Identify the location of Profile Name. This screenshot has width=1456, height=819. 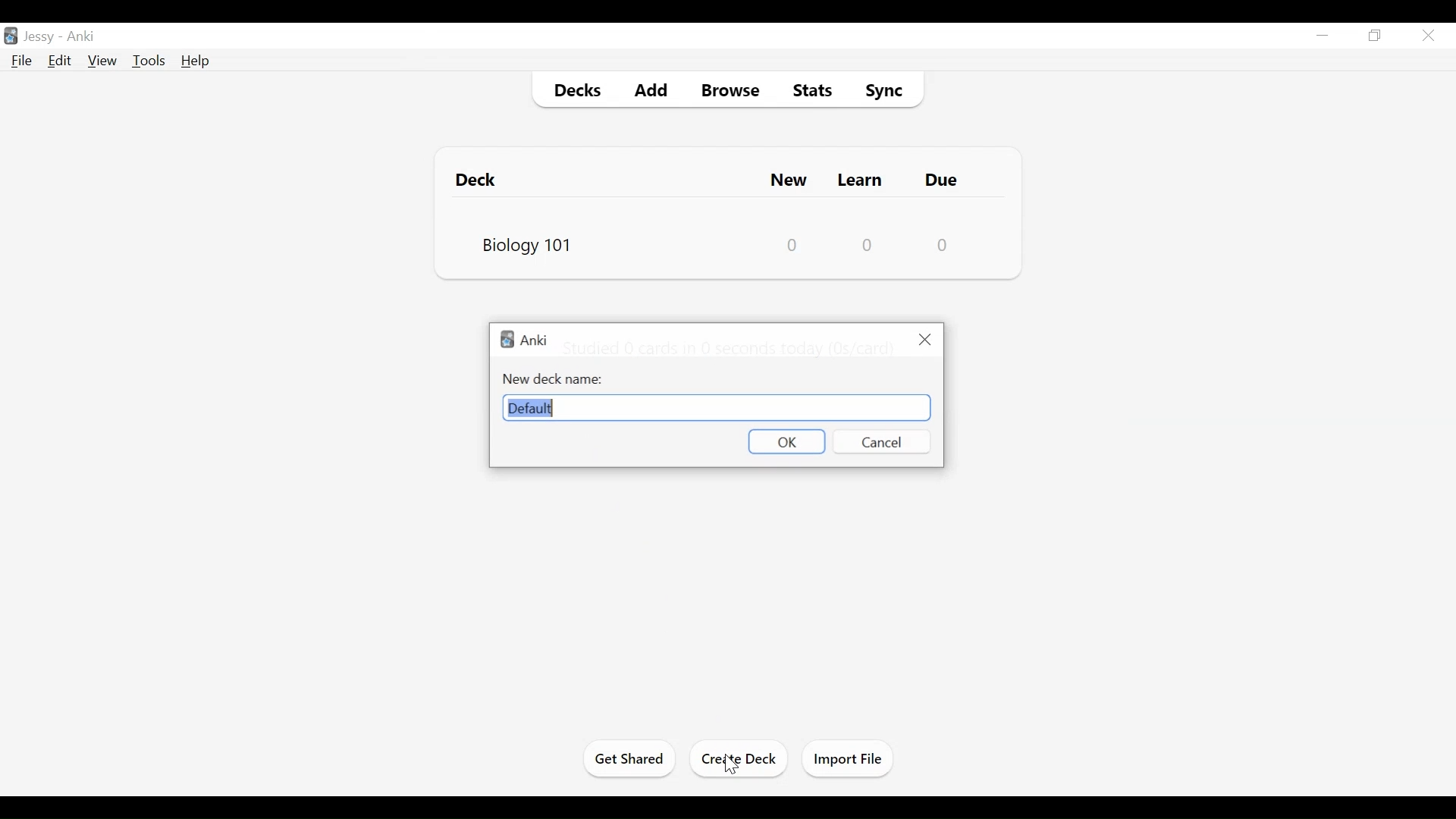
(40, 35).